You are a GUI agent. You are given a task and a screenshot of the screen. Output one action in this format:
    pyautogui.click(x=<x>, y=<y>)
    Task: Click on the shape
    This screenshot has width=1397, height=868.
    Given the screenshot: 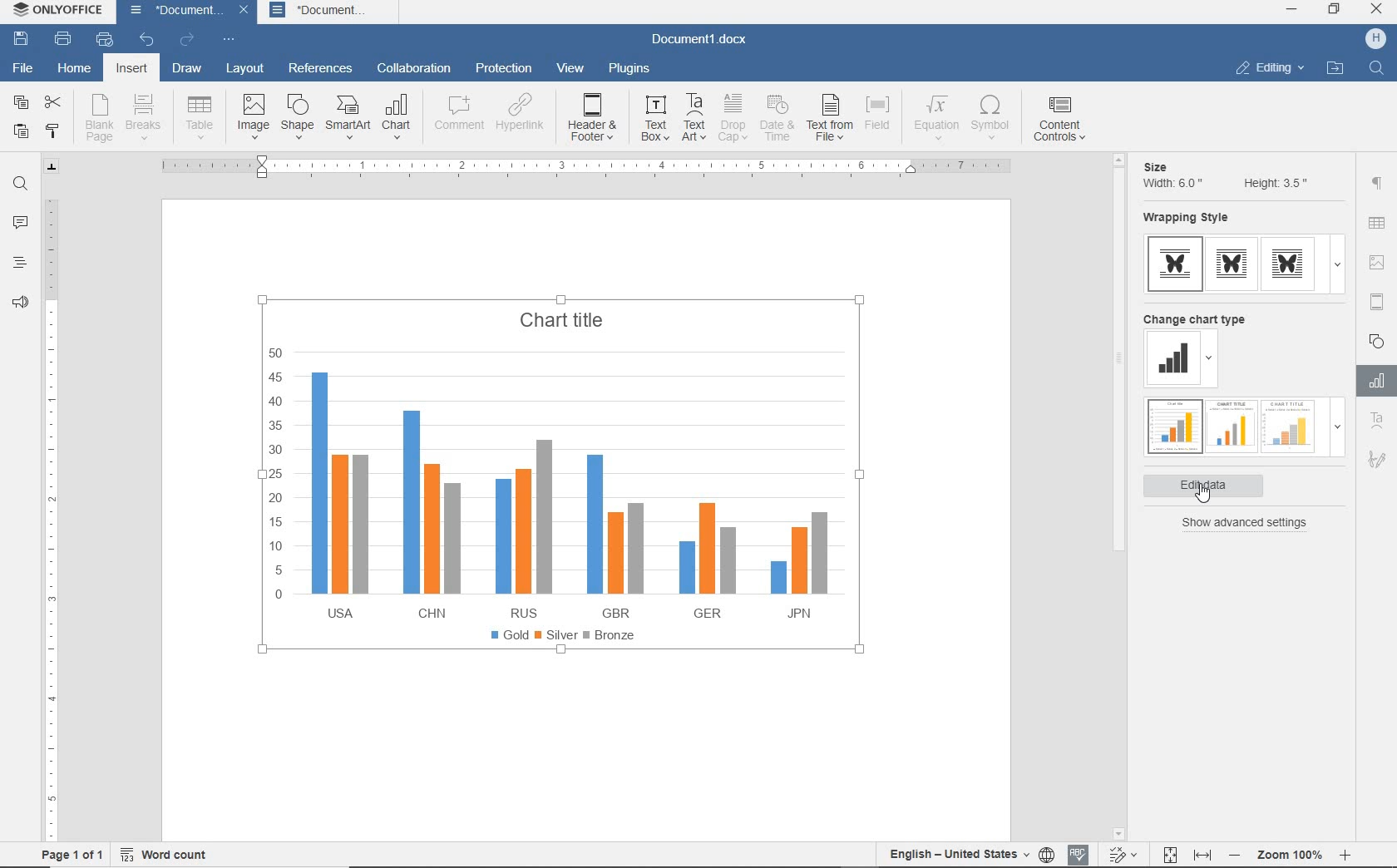 What is the action you would take?
    pyautogui.click(x=299, y=116)
    